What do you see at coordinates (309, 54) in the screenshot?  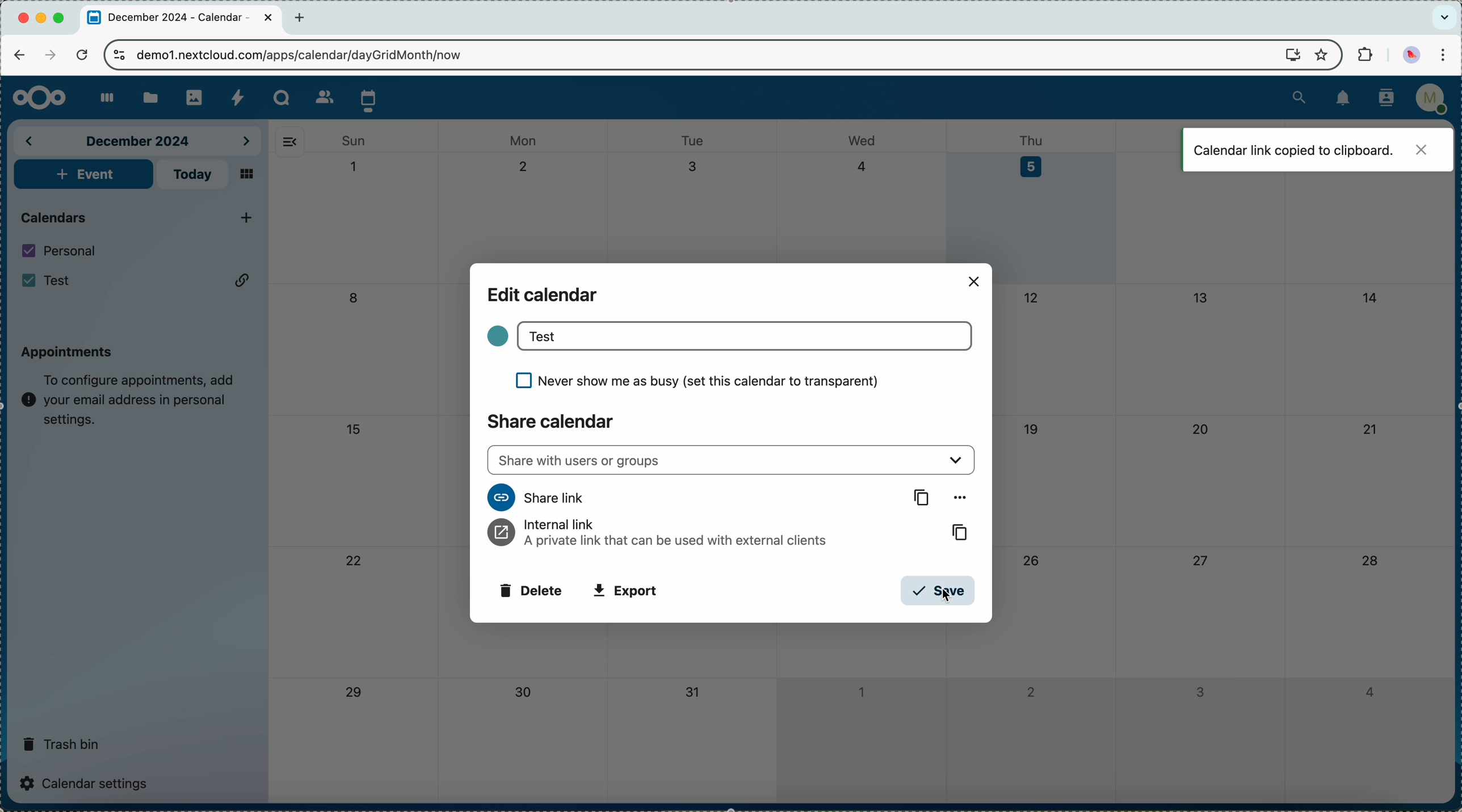 I see `URL` at bounding box center [309, 54].